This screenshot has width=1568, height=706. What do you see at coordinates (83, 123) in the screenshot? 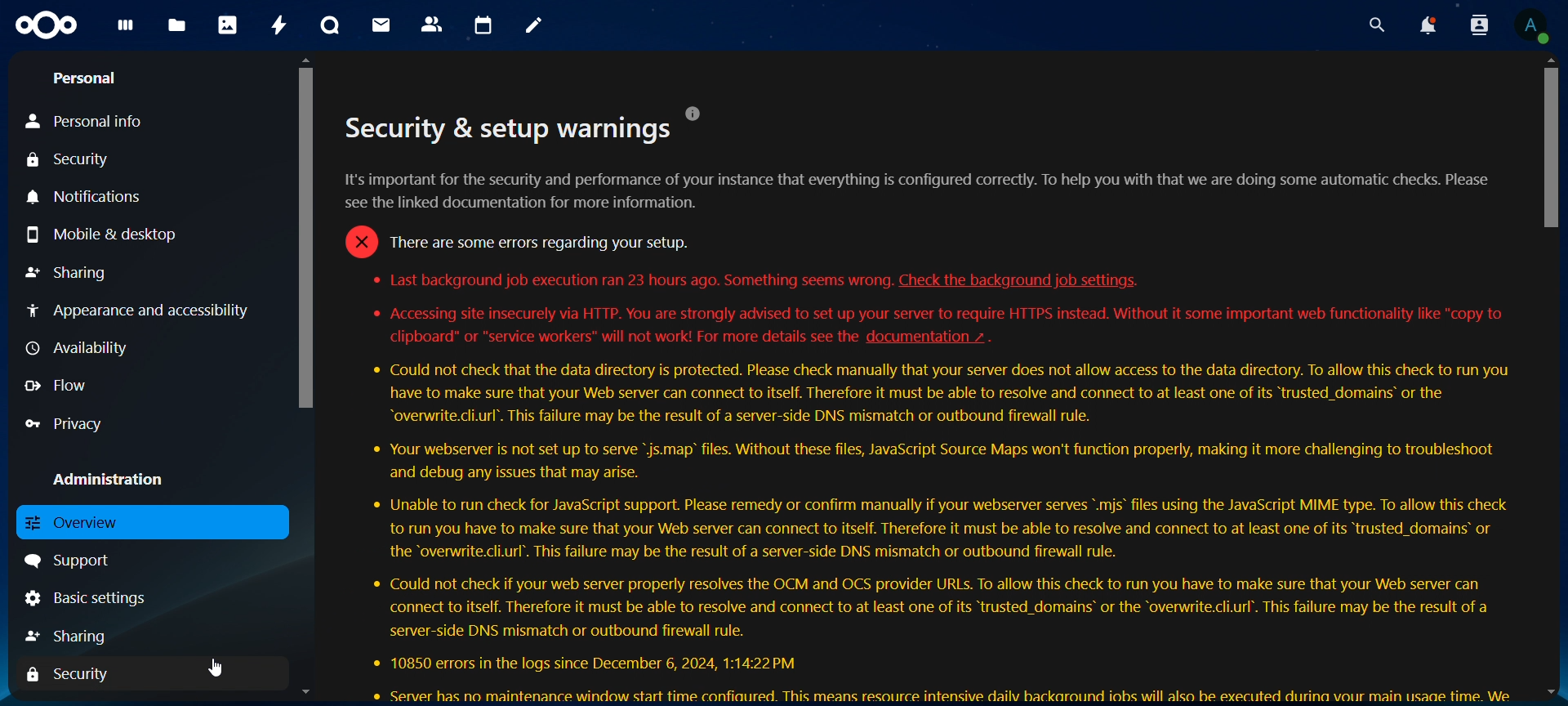
I see `personal info` at bounding box center [83, 123].